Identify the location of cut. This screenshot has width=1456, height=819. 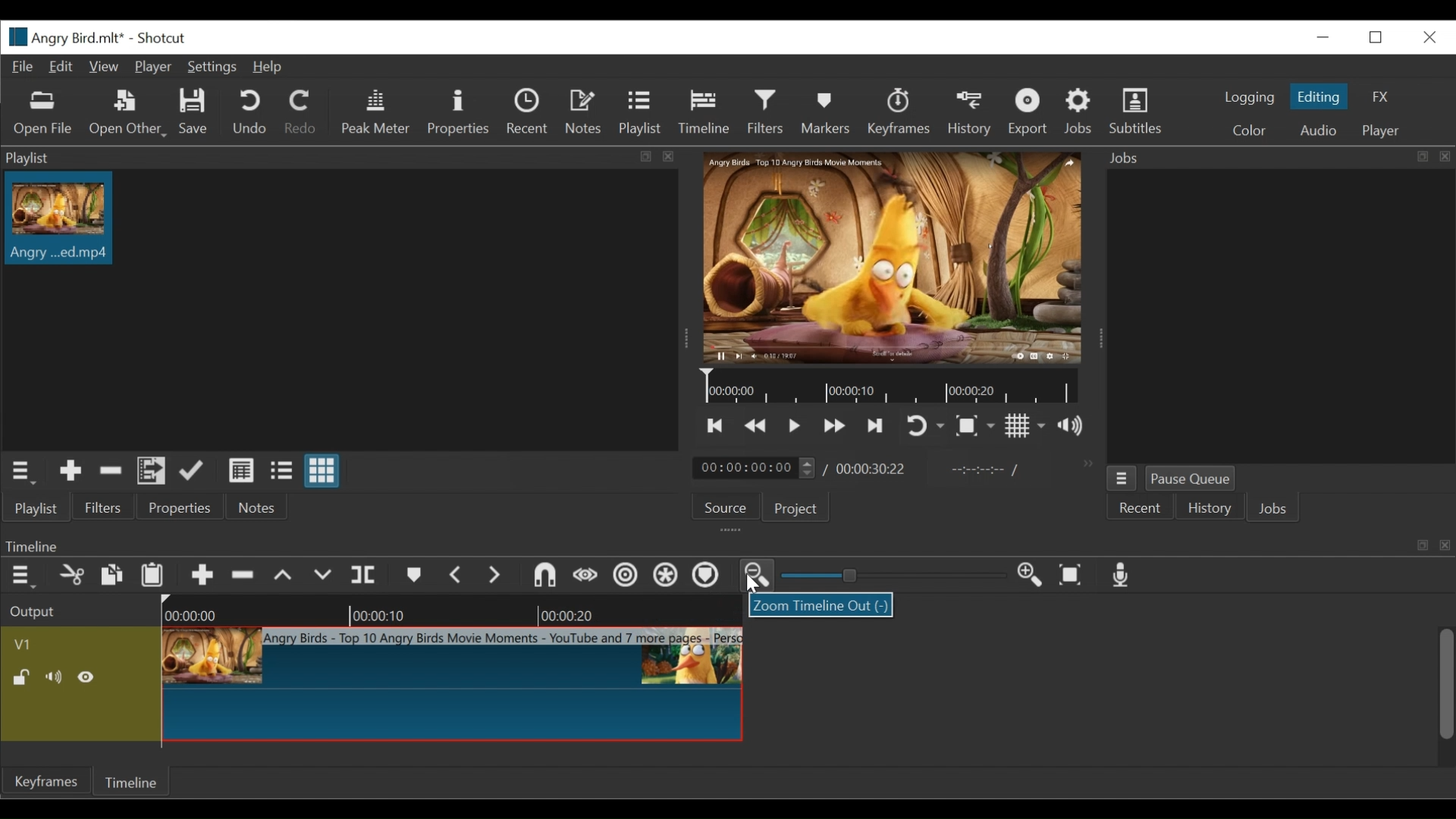
(74, 576).